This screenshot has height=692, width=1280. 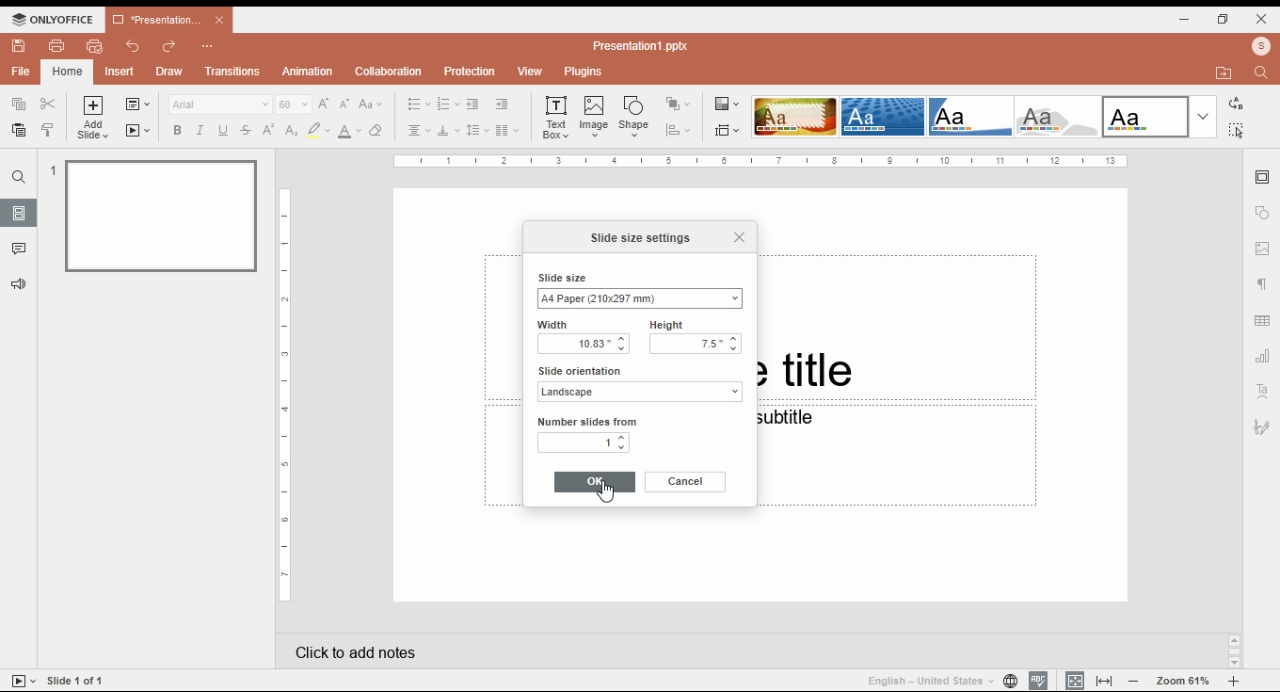 I want to click on slide them option, so click(x=1061, y=117).